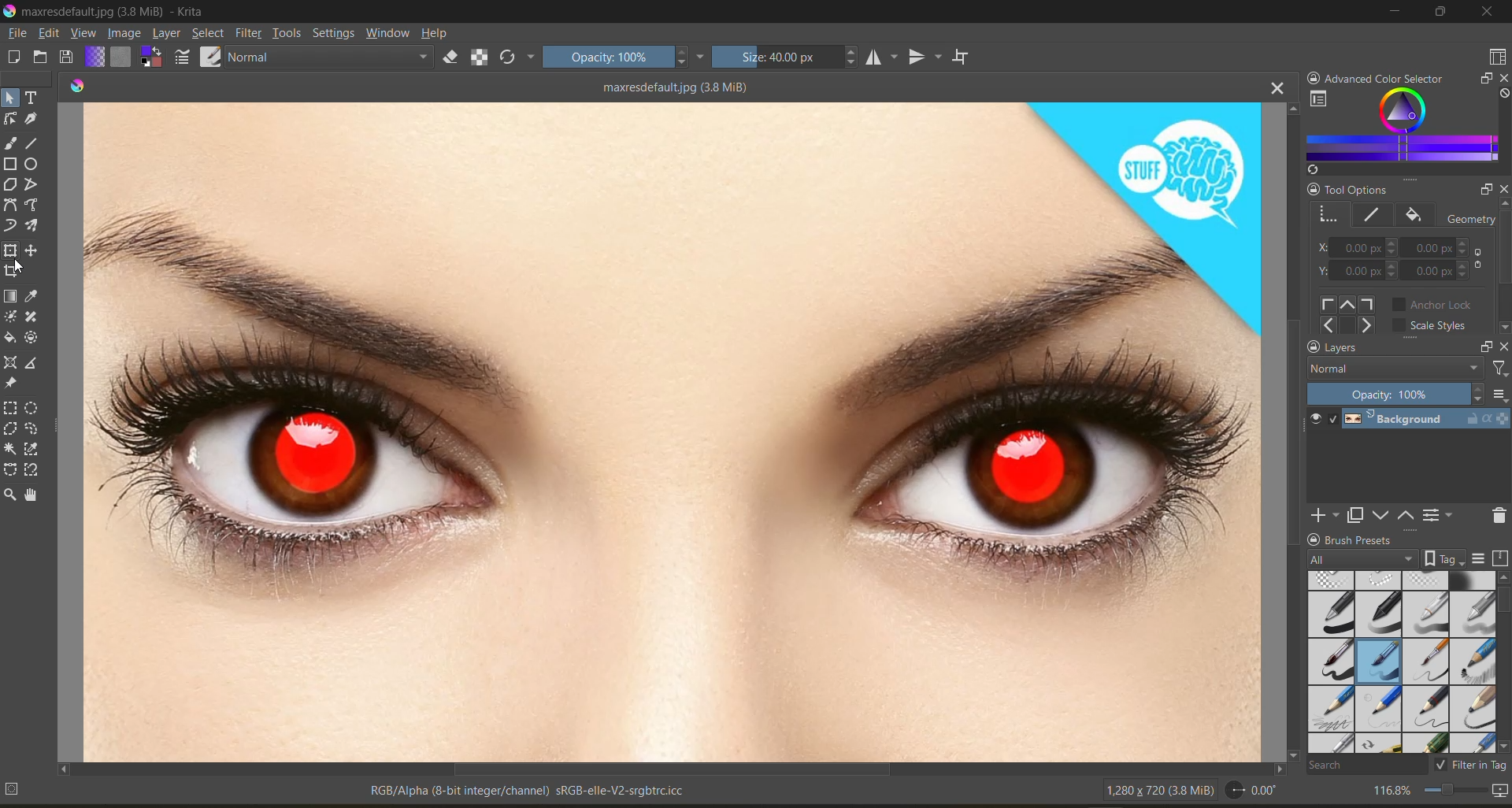  I want to click on close, so click(1487, 13).